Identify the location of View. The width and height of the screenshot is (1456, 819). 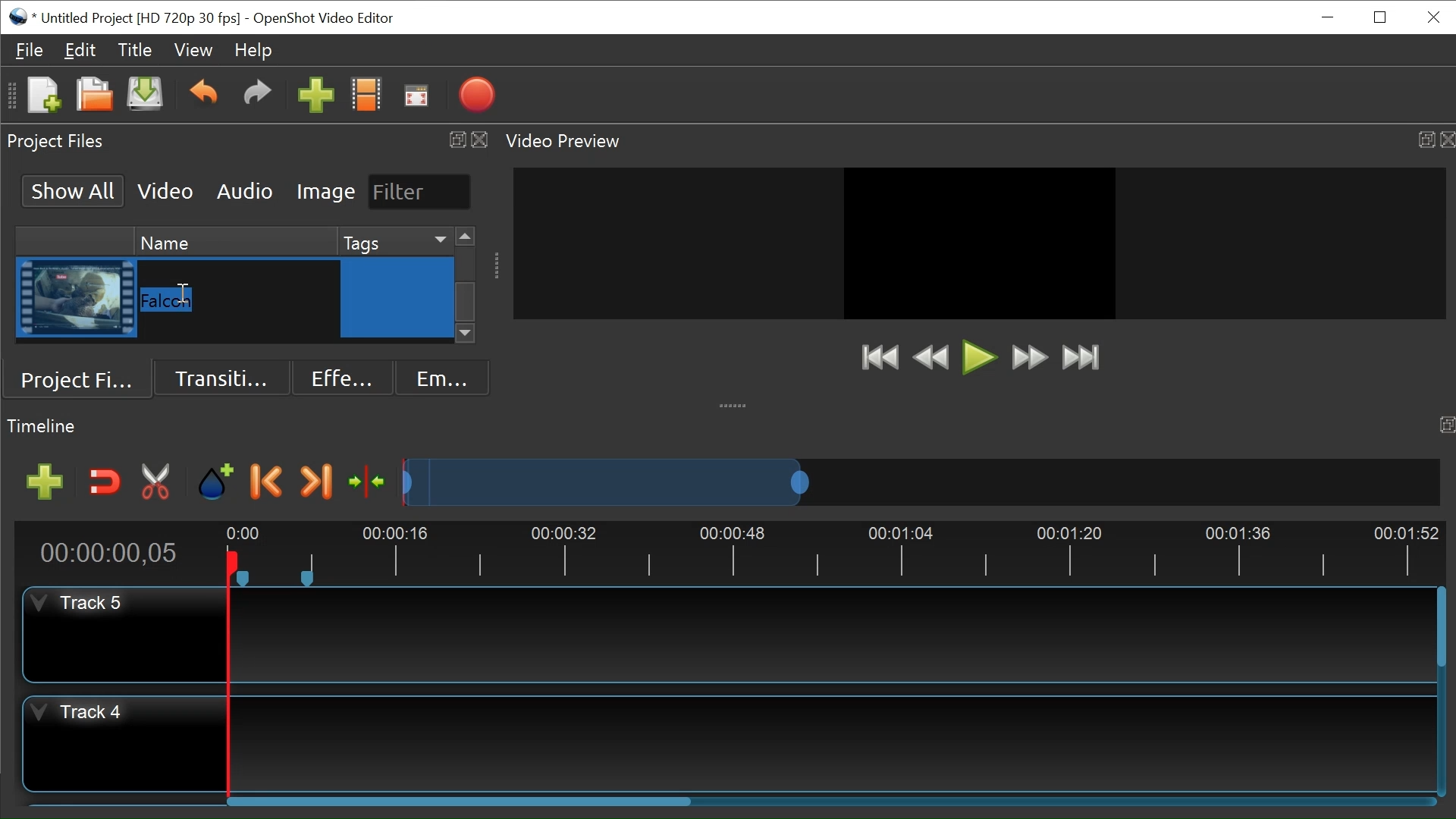
(194, 50).